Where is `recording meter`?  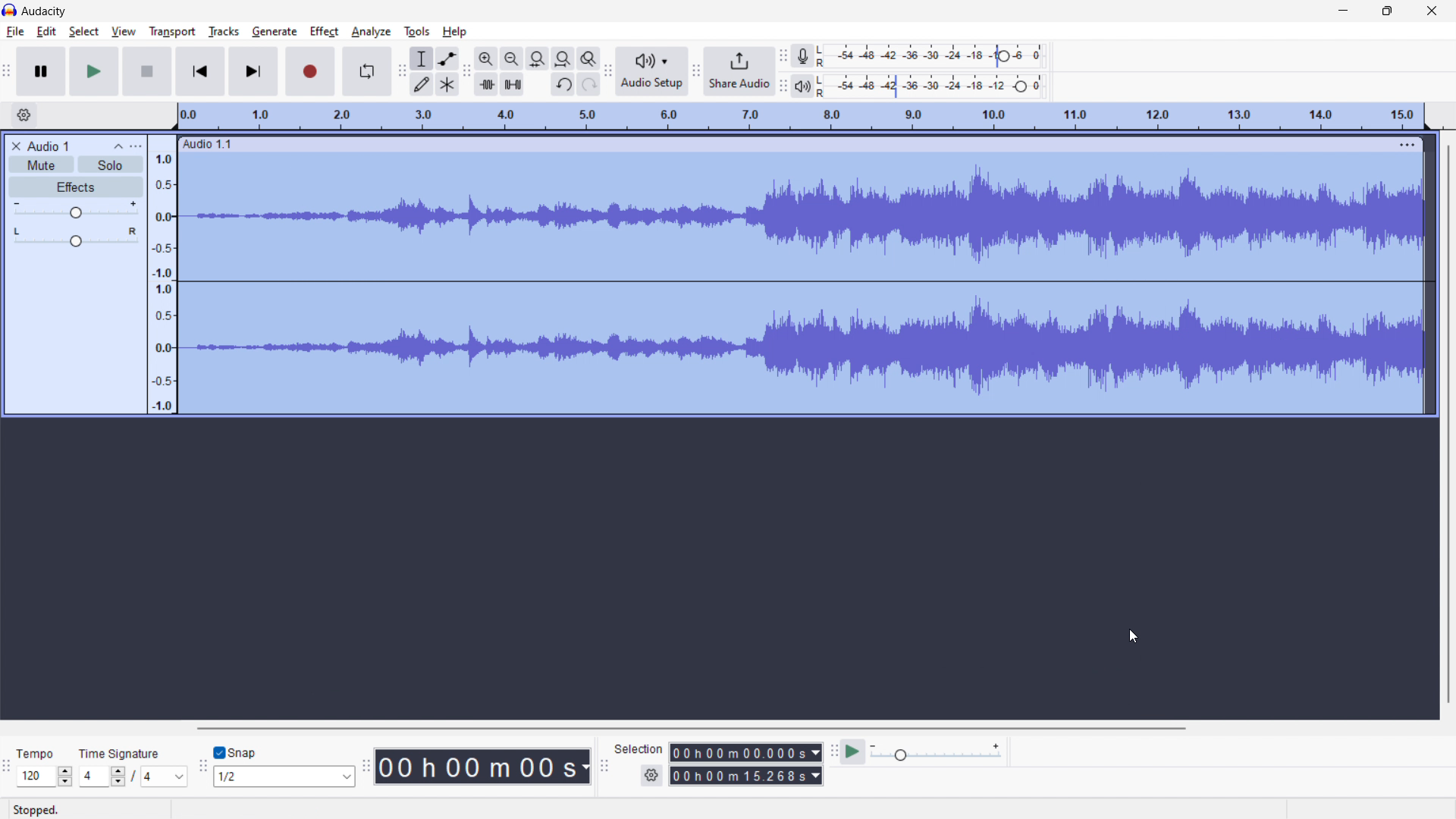 recording meter is located at coordinates (807, 55).